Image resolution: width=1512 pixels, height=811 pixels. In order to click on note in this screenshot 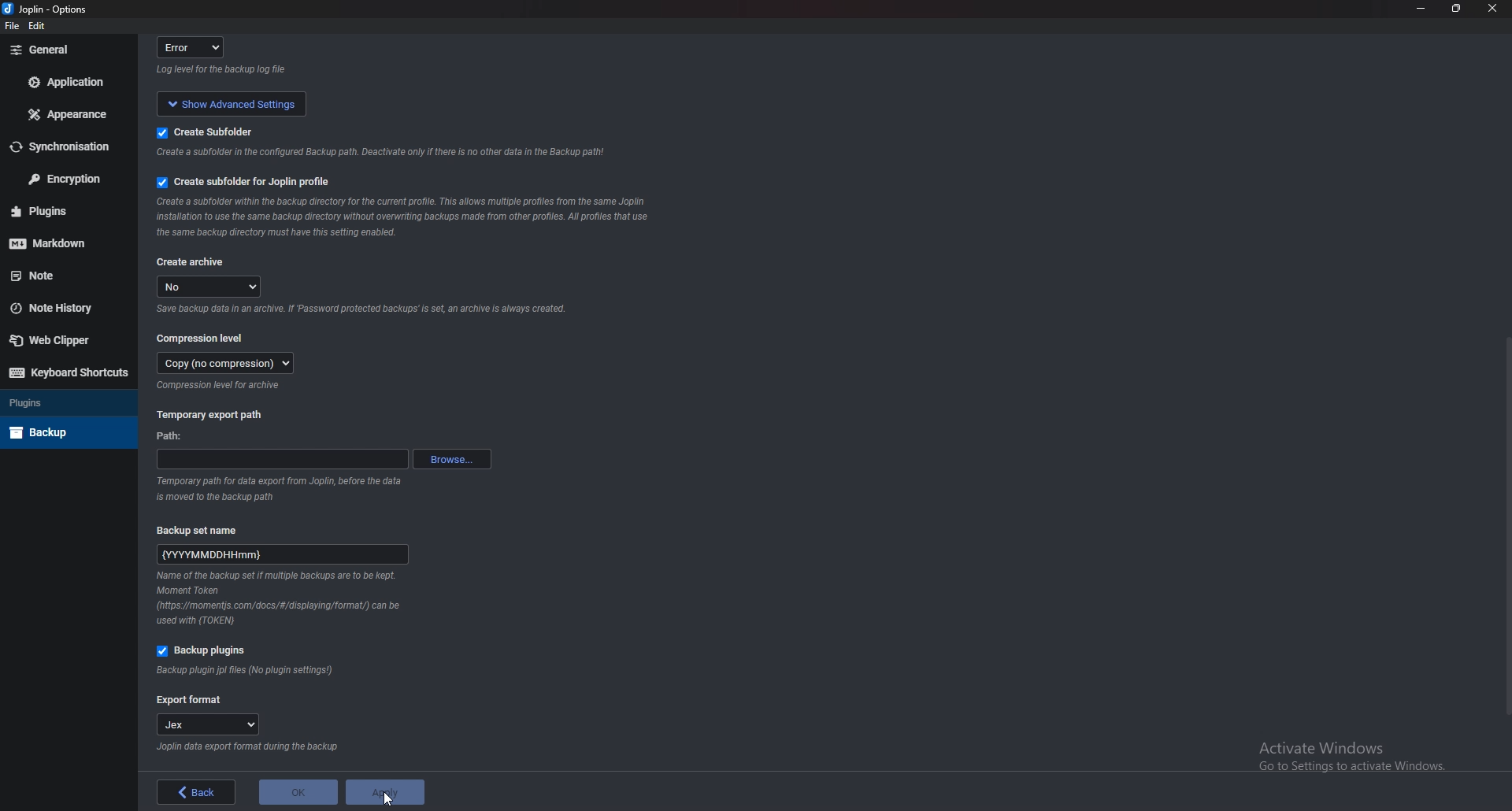, I will do `click(65, 275)`.